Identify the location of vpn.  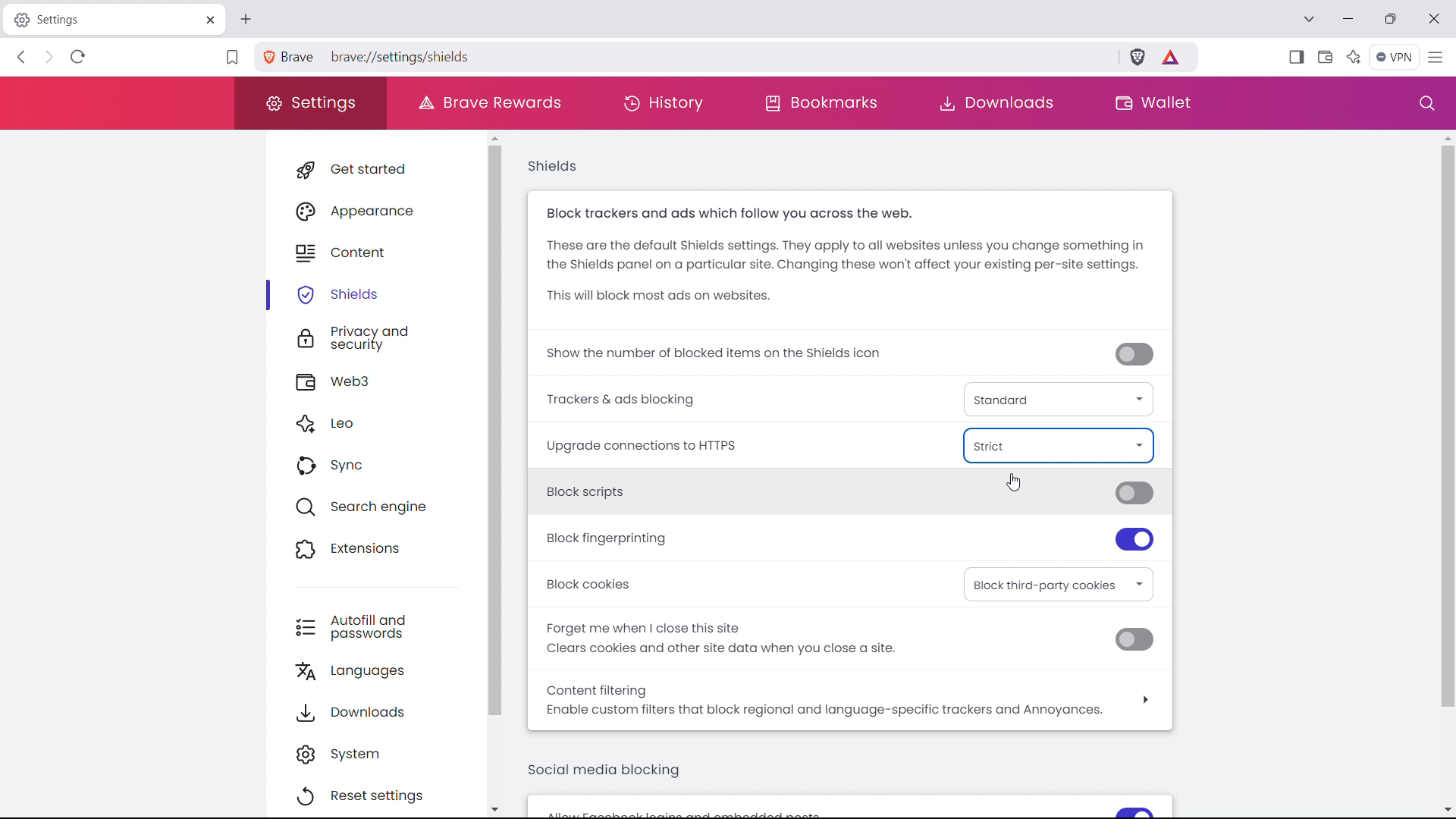
(1394, 58).